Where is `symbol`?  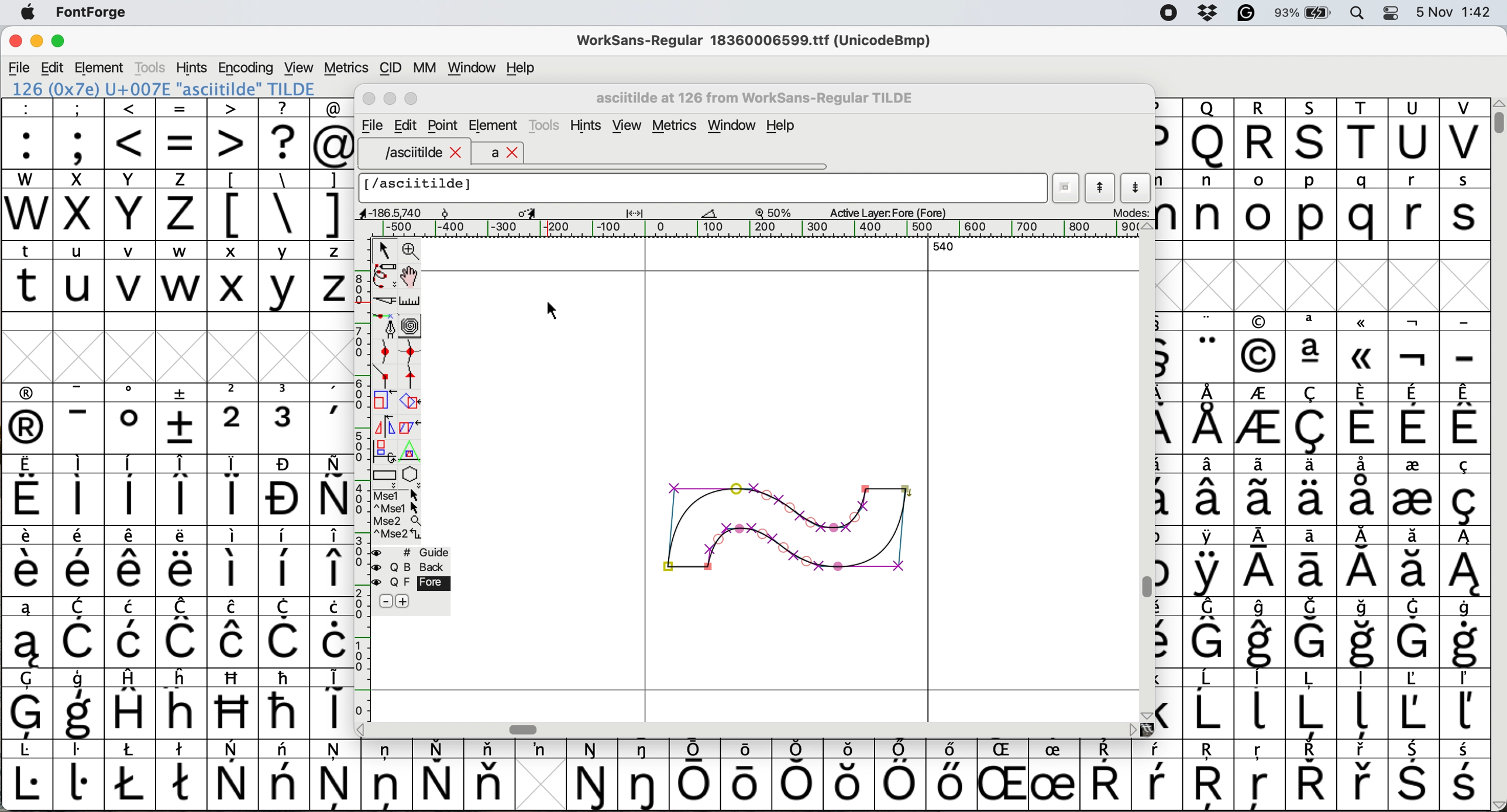
symbol is located at coordinates (232, 632).